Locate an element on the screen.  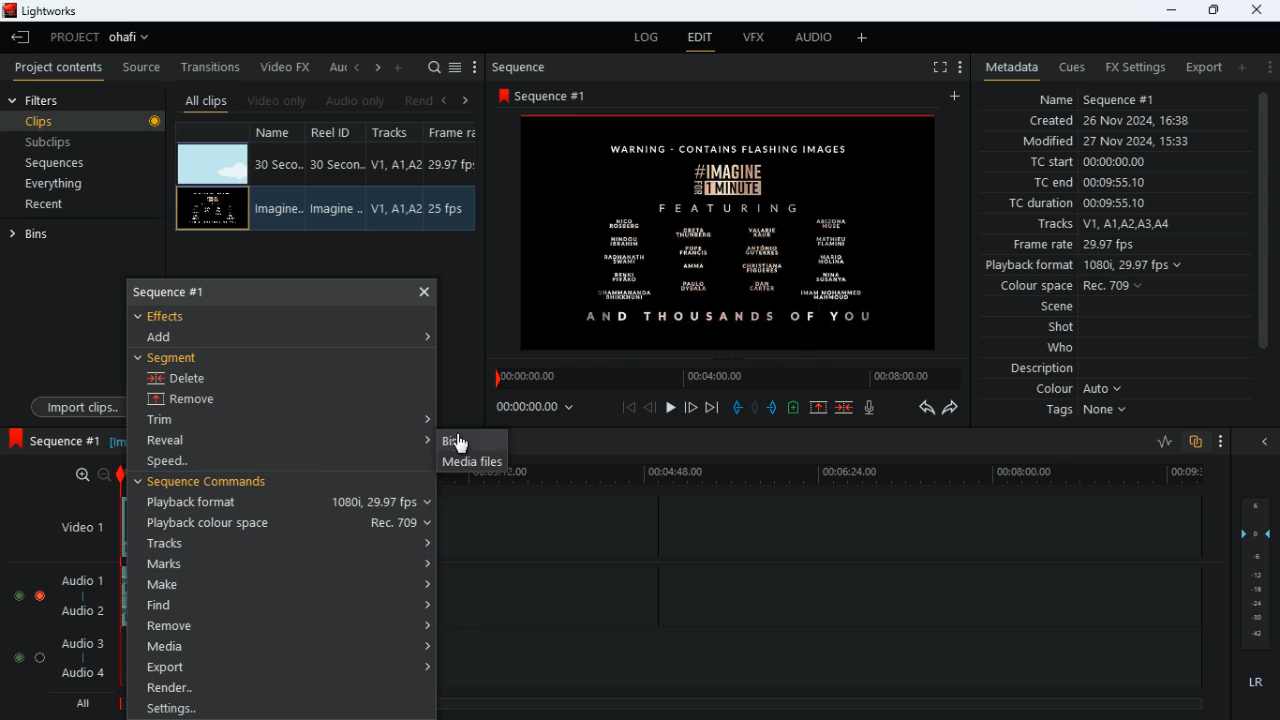
more is located at coordinates (1216, 440).